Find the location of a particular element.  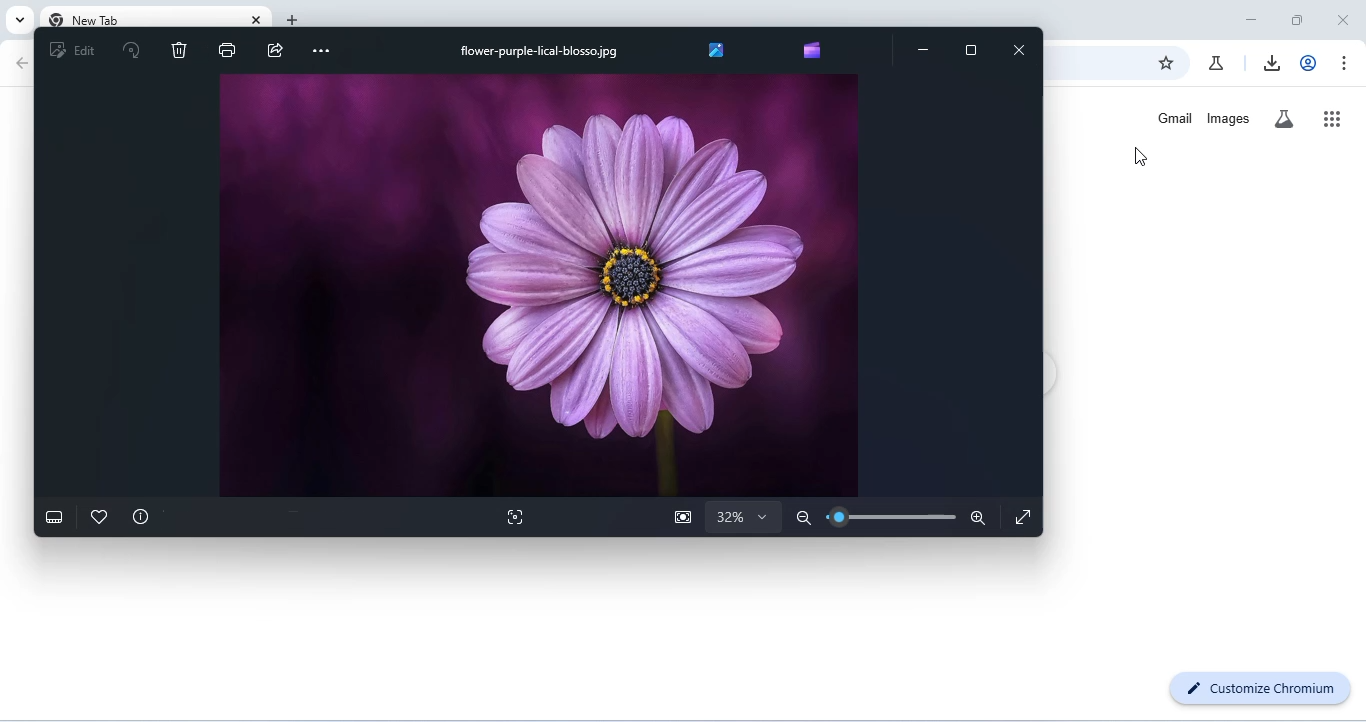

zoom is located at coordinates (894, 517).